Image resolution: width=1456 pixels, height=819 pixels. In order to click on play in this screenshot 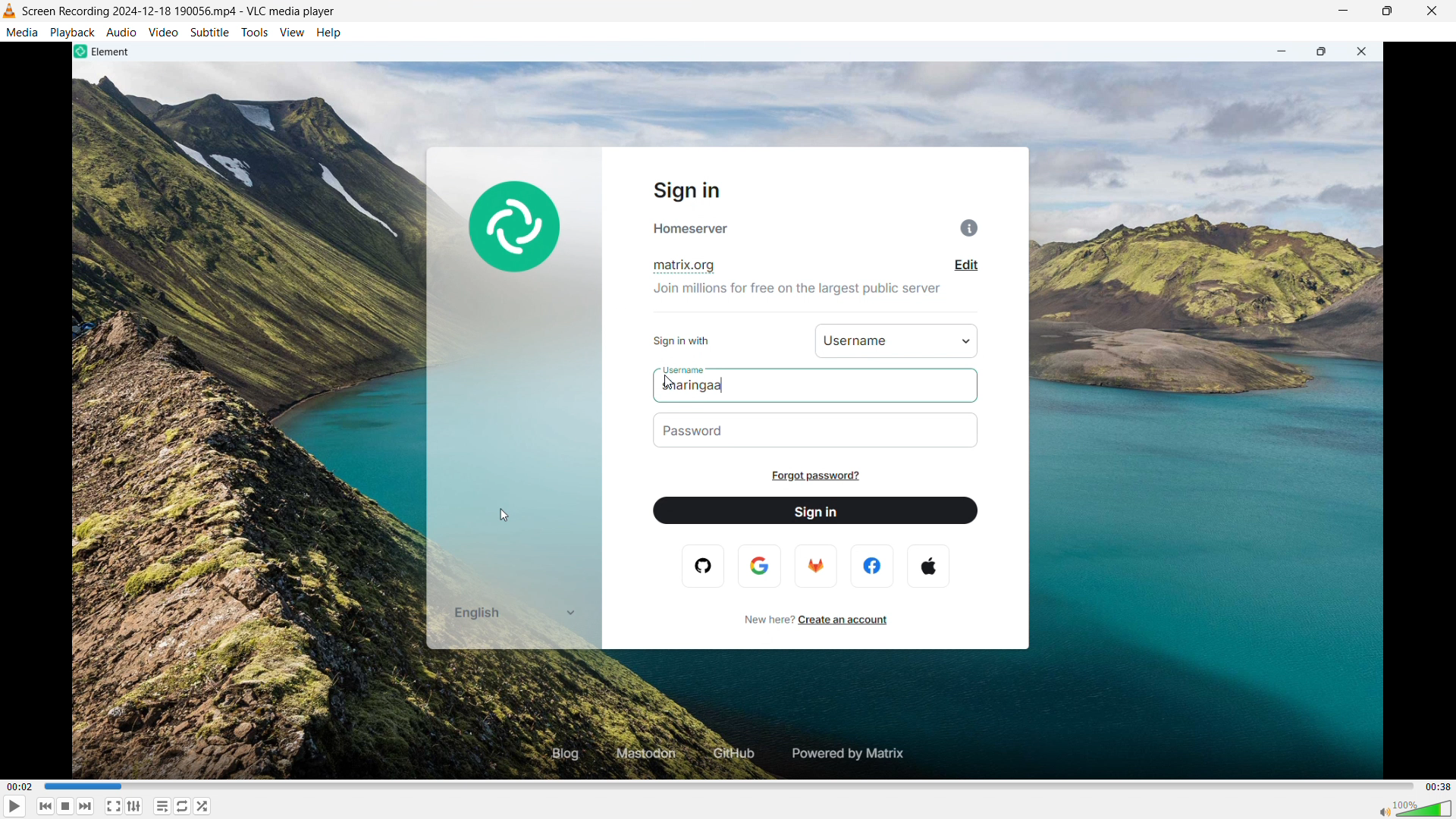, I will do `click(16, 807)`.